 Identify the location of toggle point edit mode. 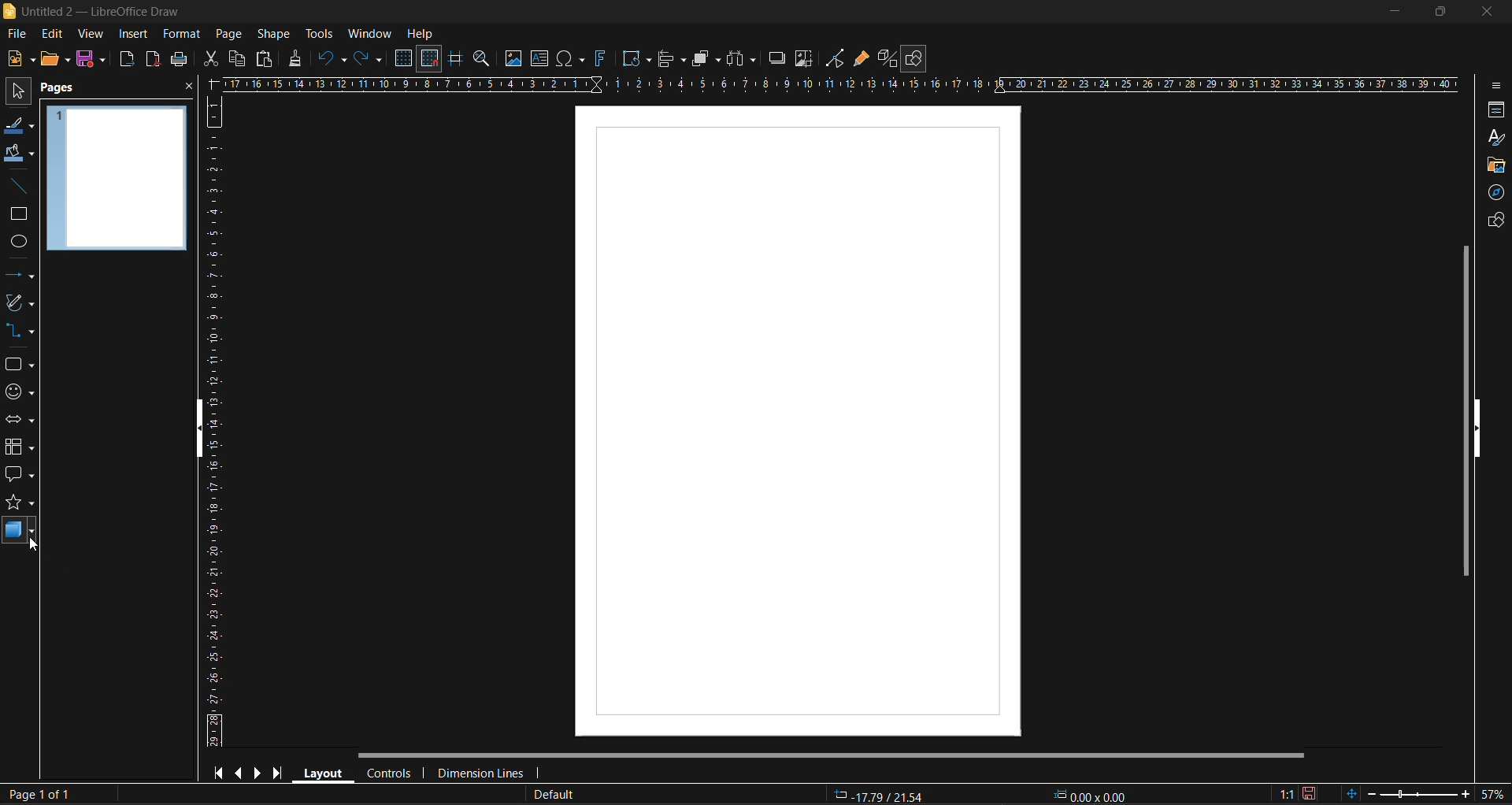
(837, 57).